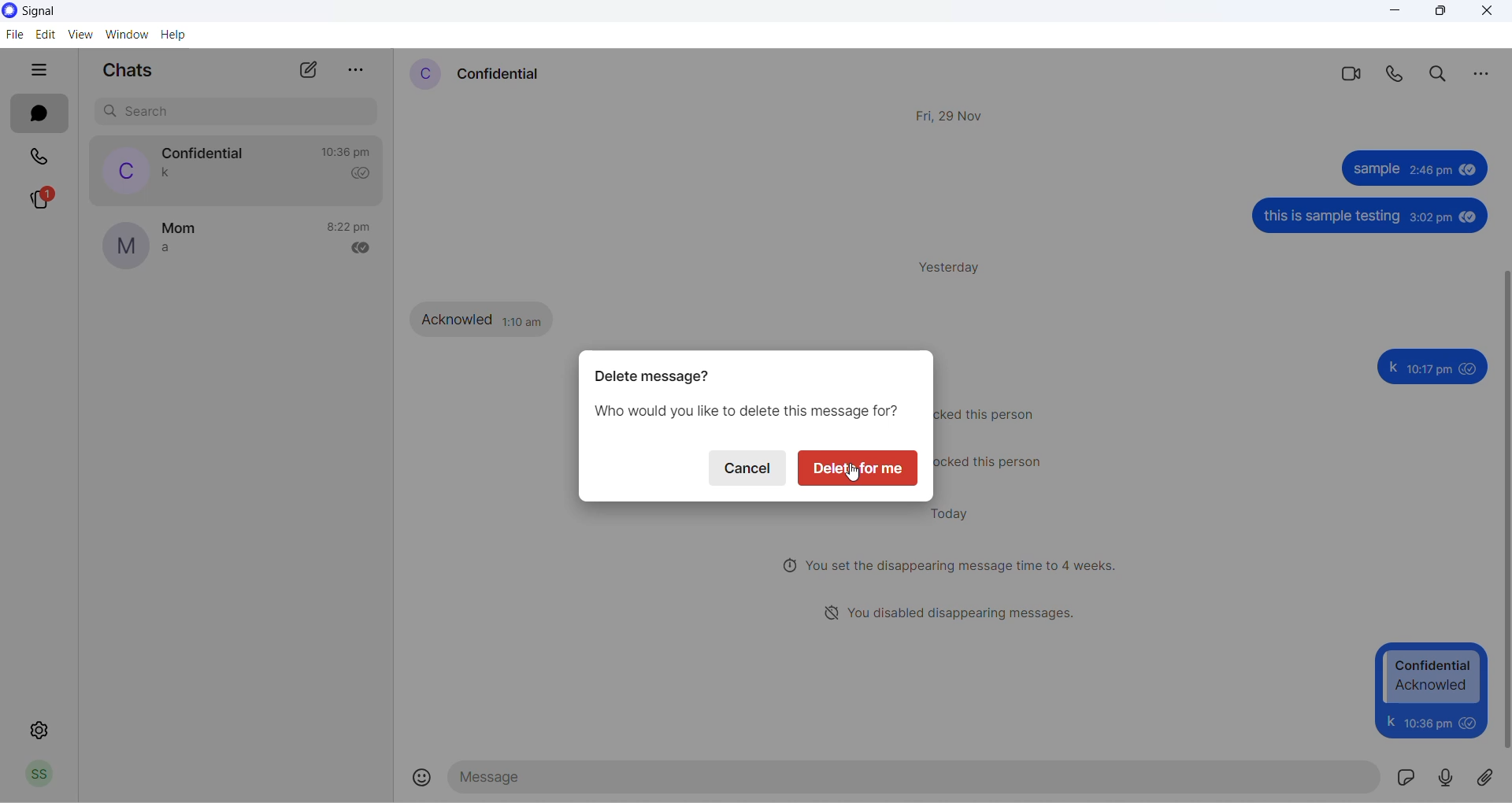 This screenshot has height=803, width=1512. I want to click on 10:17 pm, so click(1429, 370).